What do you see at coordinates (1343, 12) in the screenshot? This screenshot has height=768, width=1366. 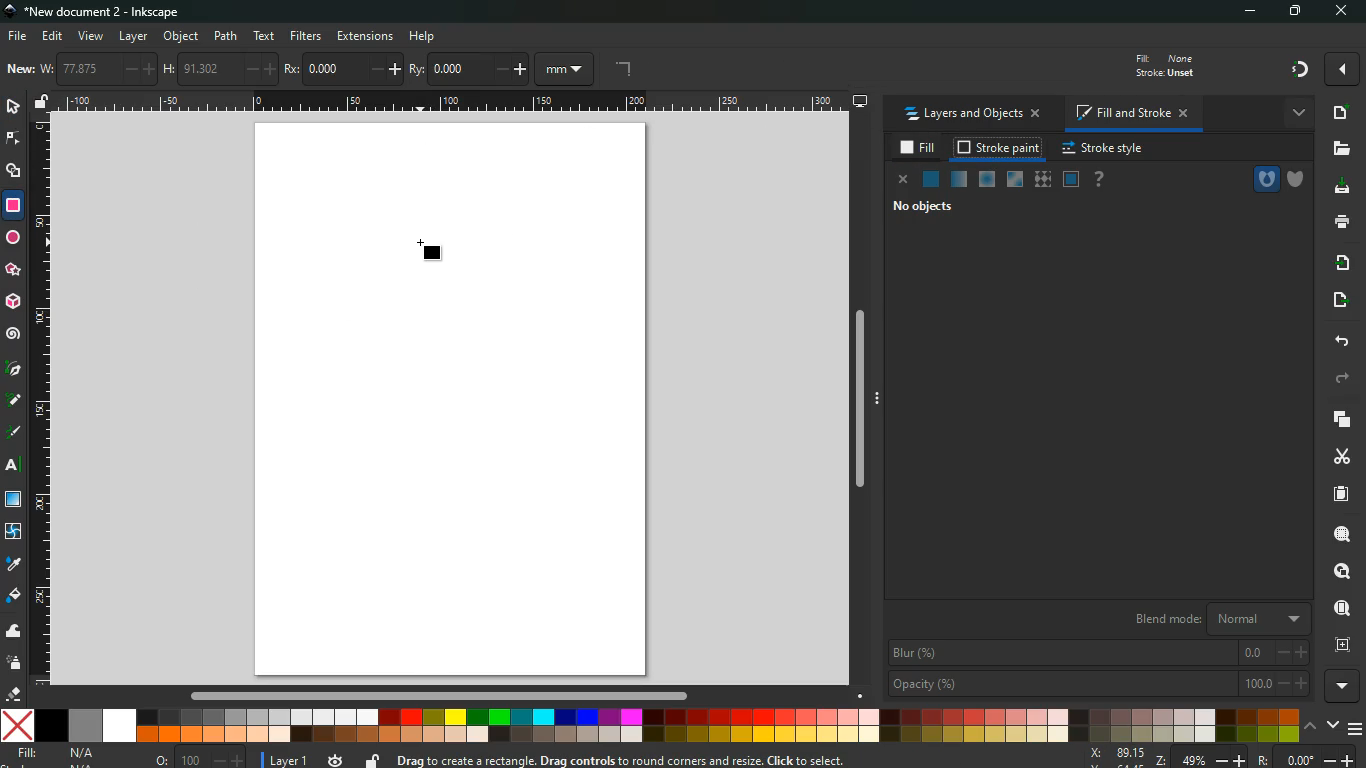 I see `close` at bounding box center [1343, 12].